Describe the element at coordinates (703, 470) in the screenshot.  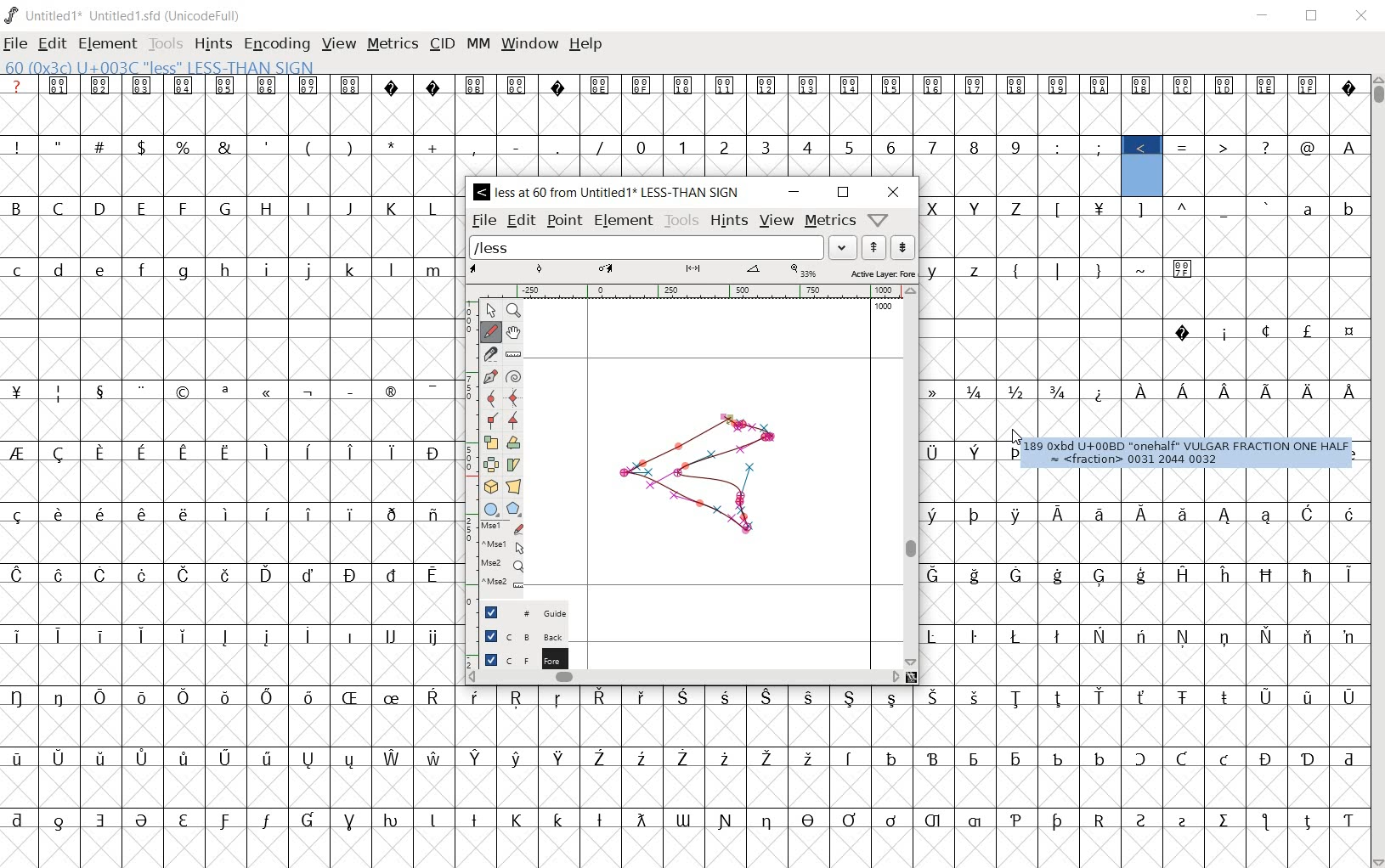
I see `glyph for an open angle bracket created` at that location.